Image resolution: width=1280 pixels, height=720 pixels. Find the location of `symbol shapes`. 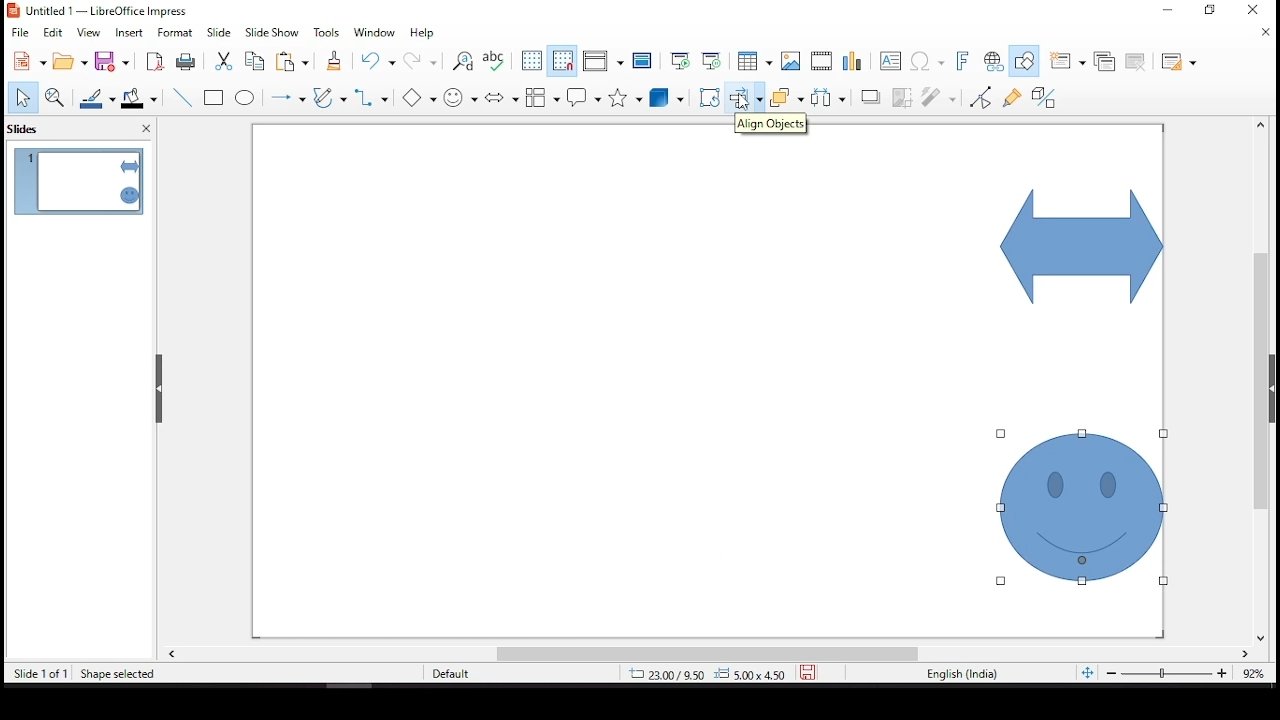

symbol shapes is located at coordinates (463, 96).